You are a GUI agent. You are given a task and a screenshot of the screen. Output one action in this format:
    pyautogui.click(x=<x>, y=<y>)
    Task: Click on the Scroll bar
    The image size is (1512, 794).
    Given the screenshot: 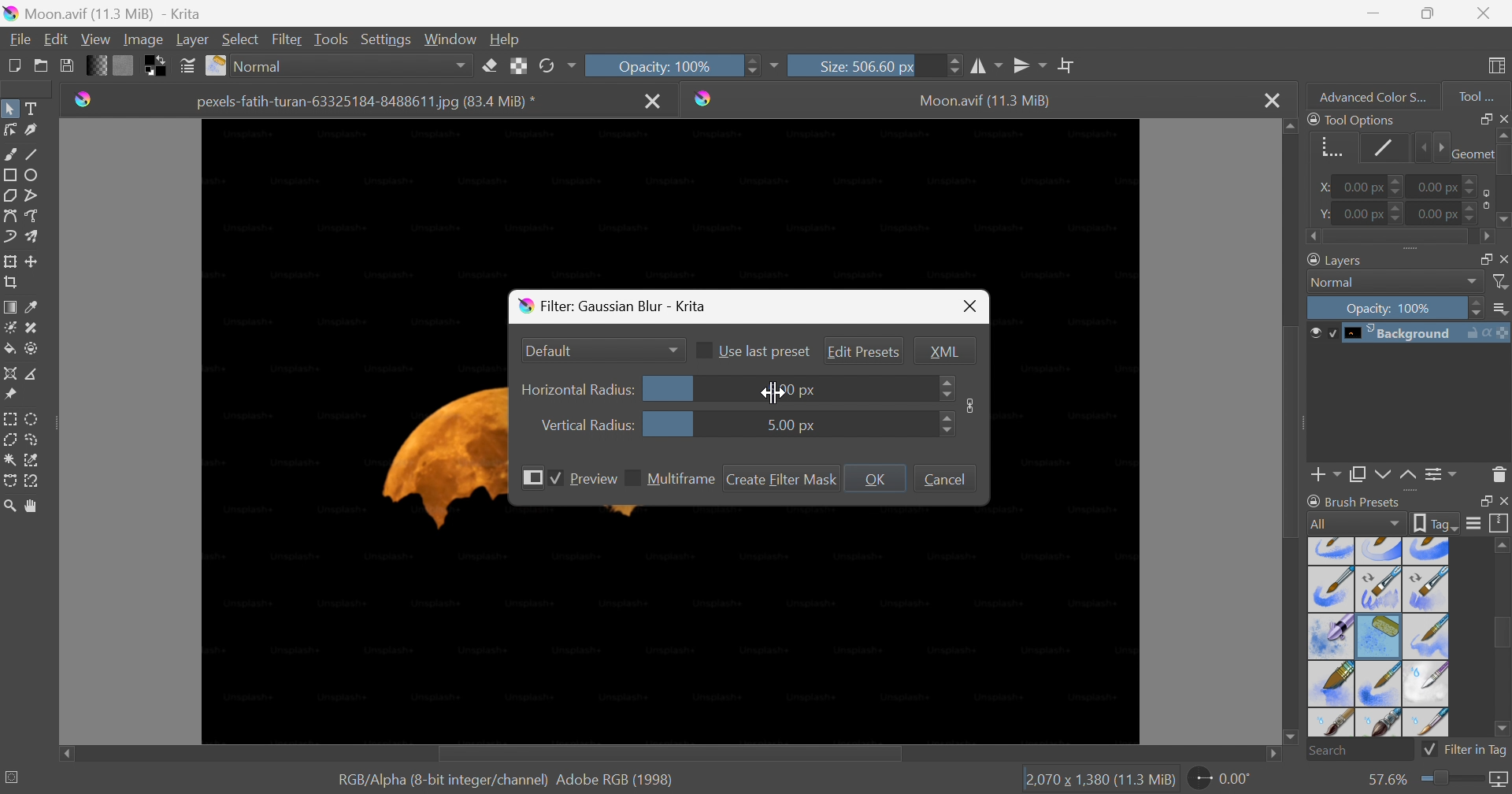 What is the action you would take?
    pyautogui.click(x=1293, y=431)
    